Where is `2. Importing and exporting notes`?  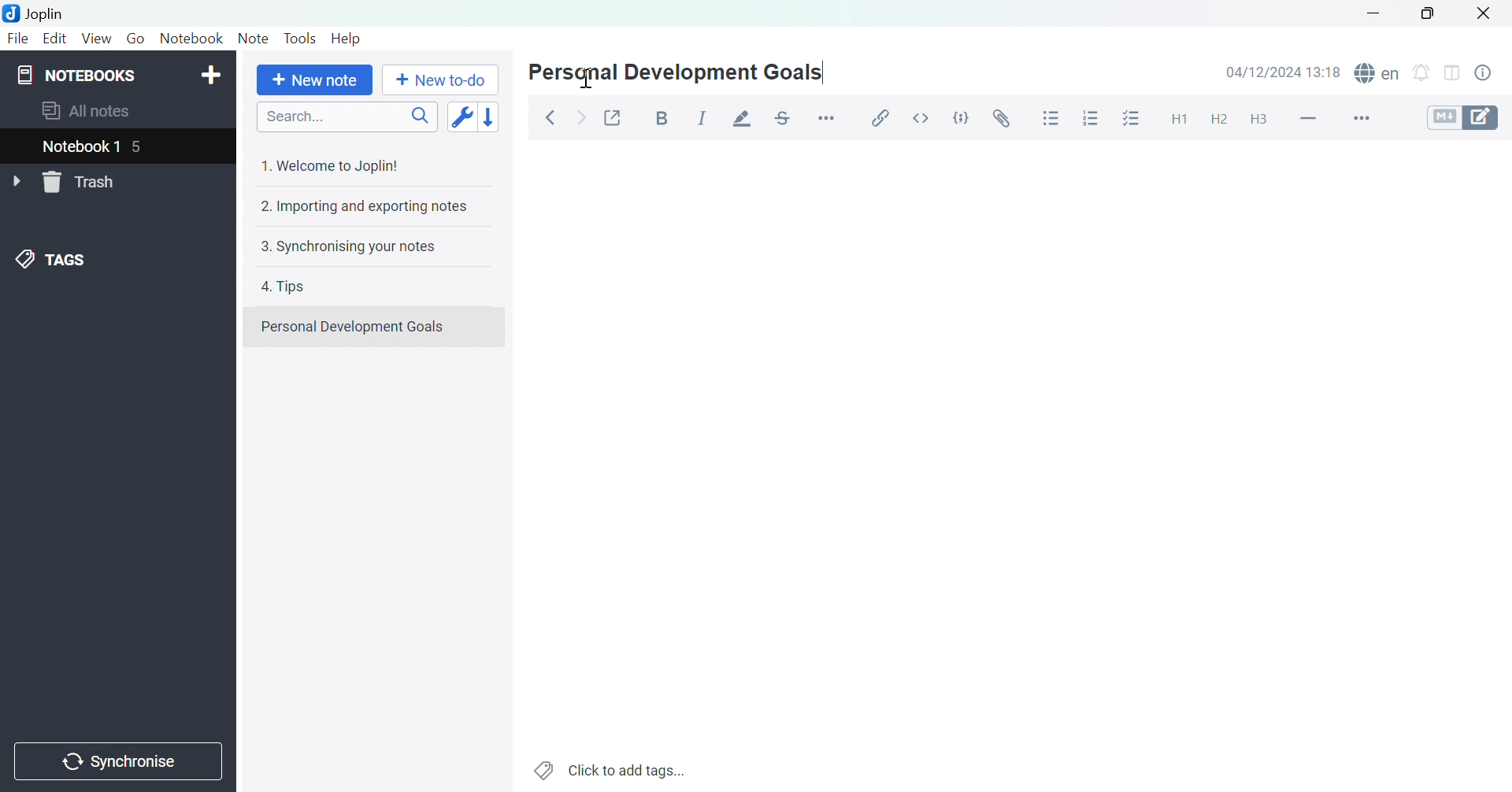 2. Importing and exporting notes is located at coordinates (362, 207).